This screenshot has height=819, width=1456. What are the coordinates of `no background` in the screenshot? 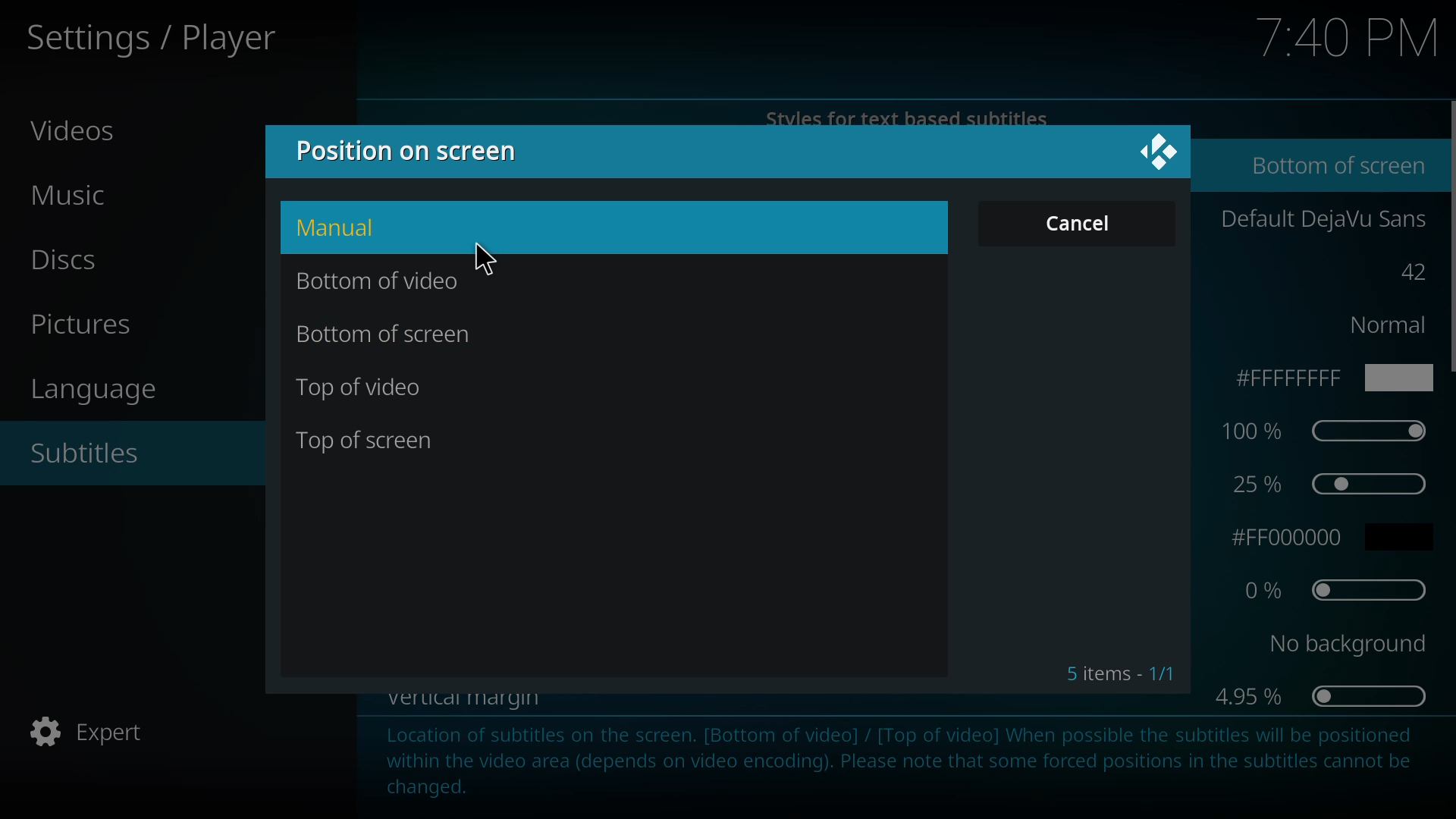 It's located at (1344, 641).